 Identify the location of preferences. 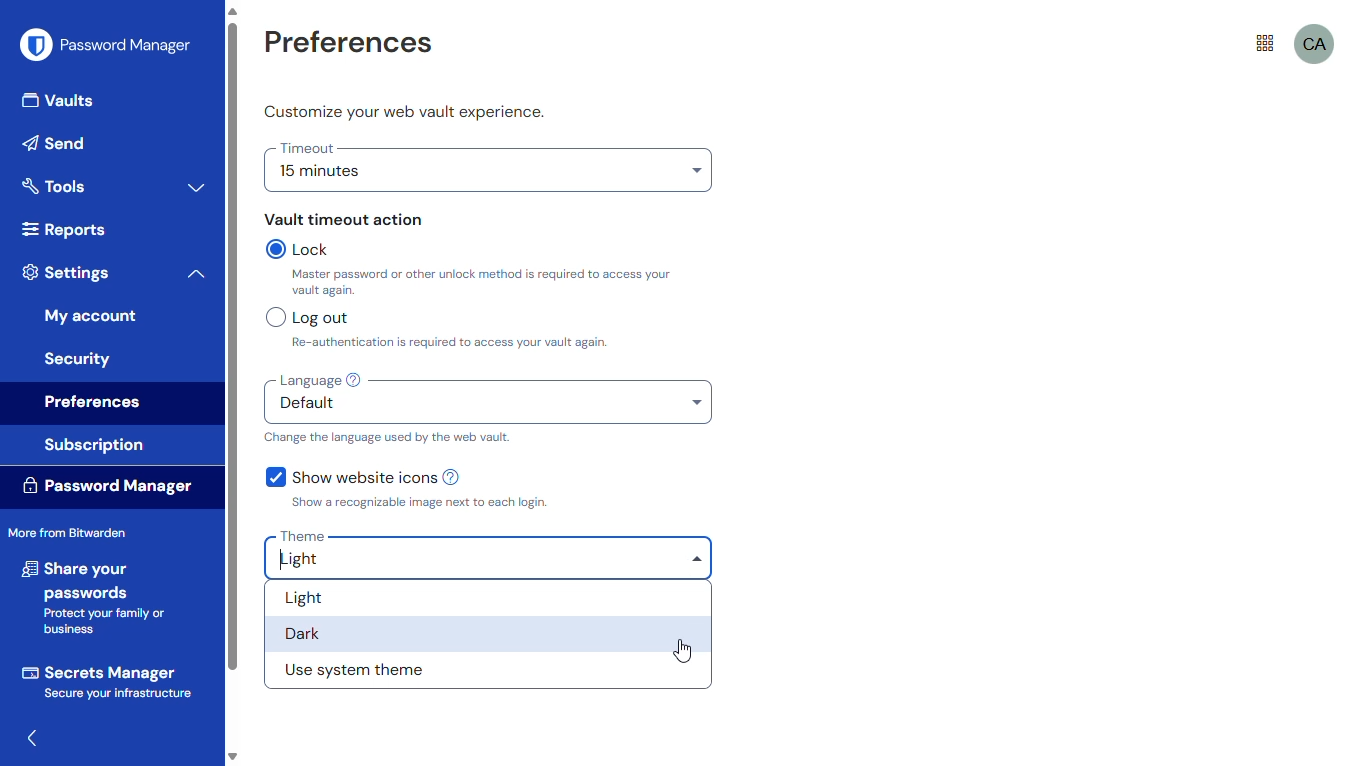
(347, 44).